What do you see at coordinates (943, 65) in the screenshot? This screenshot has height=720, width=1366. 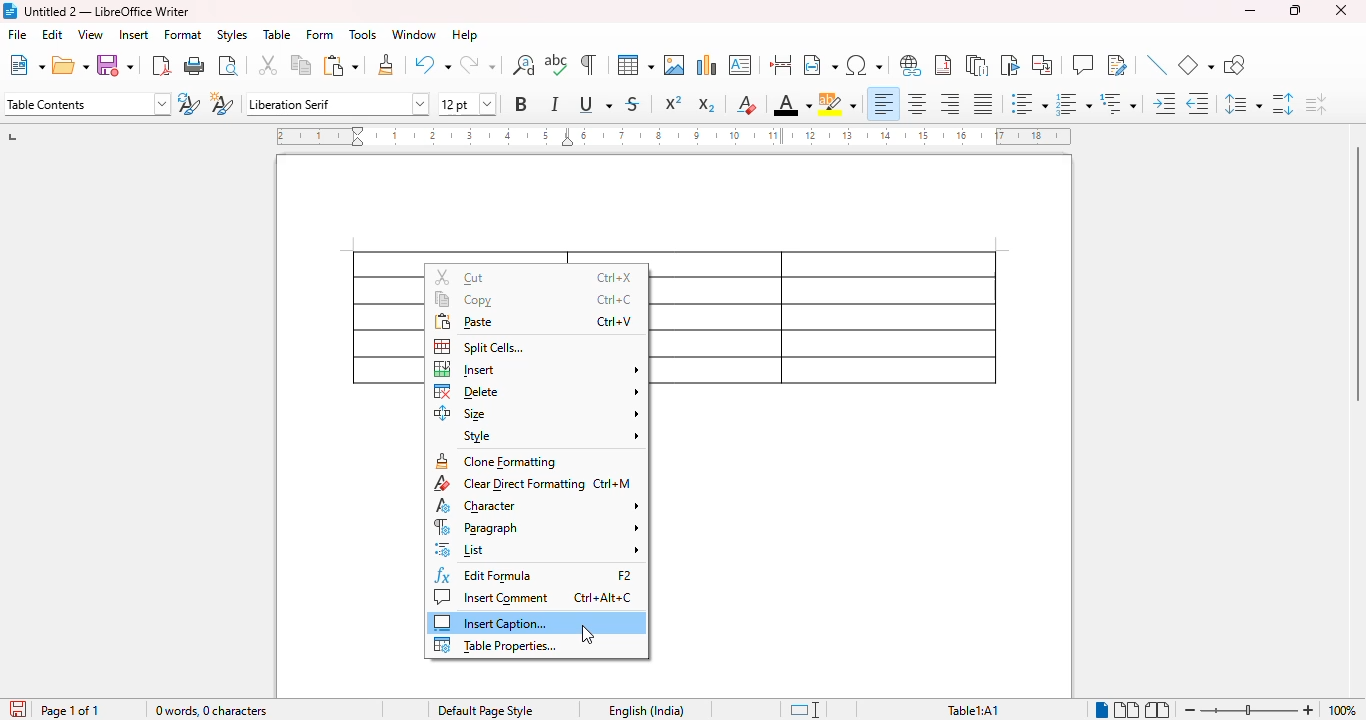 I see `insert footnote` at bounding box center [943, 65].